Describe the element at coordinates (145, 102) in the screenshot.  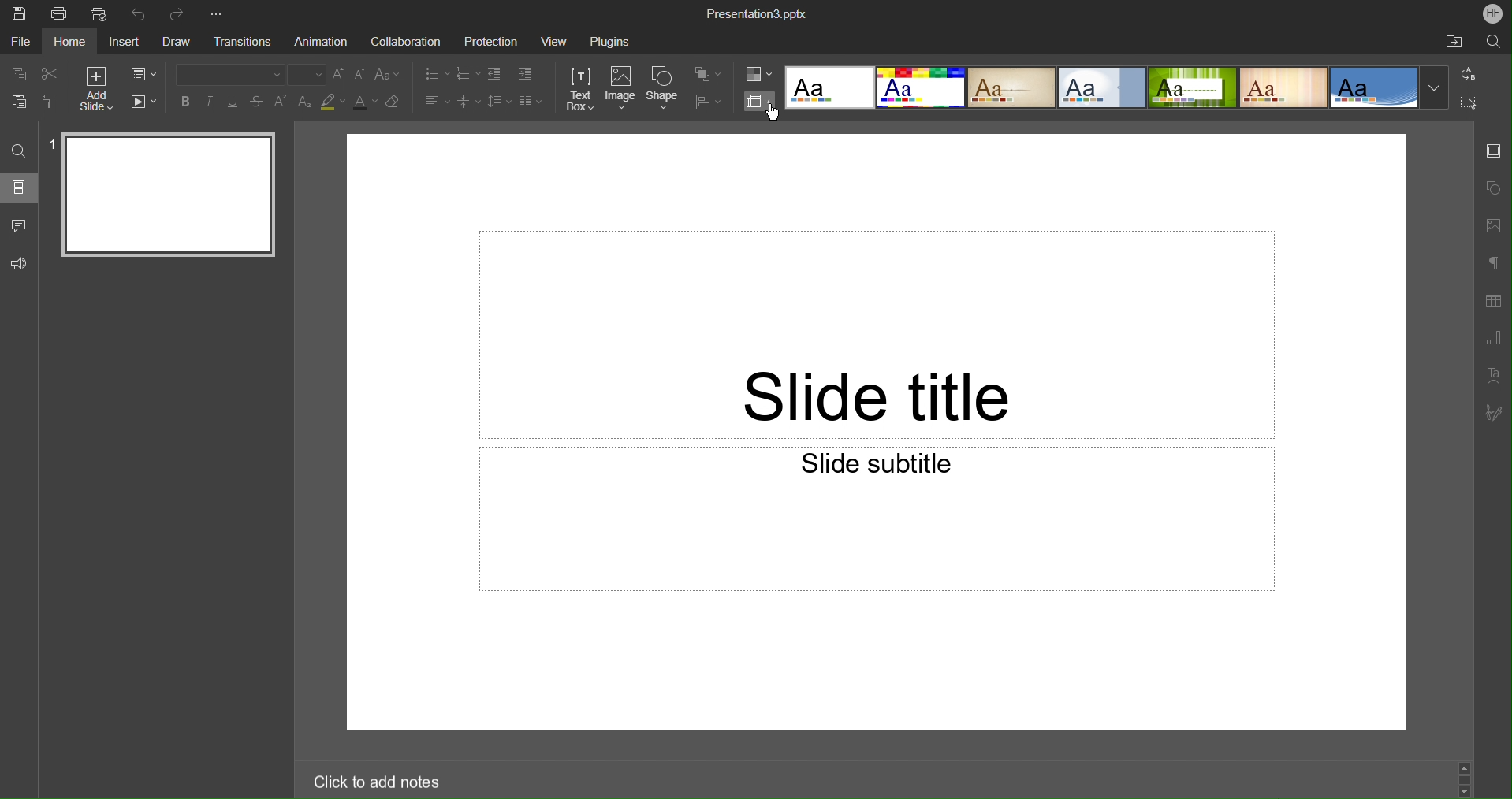
I see `Playback` at that location.